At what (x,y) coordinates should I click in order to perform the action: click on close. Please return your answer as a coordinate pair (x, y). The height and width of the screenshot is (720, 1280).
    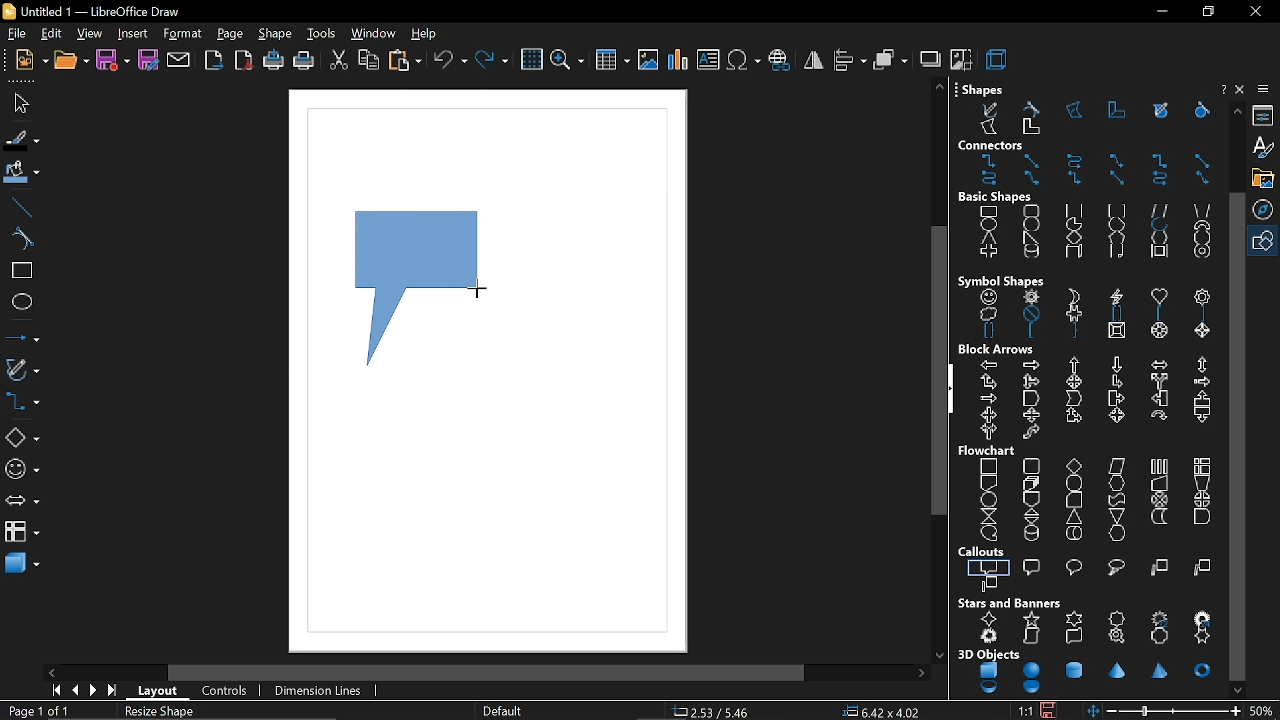
    Looking at the image, I should click on (1255, 11).